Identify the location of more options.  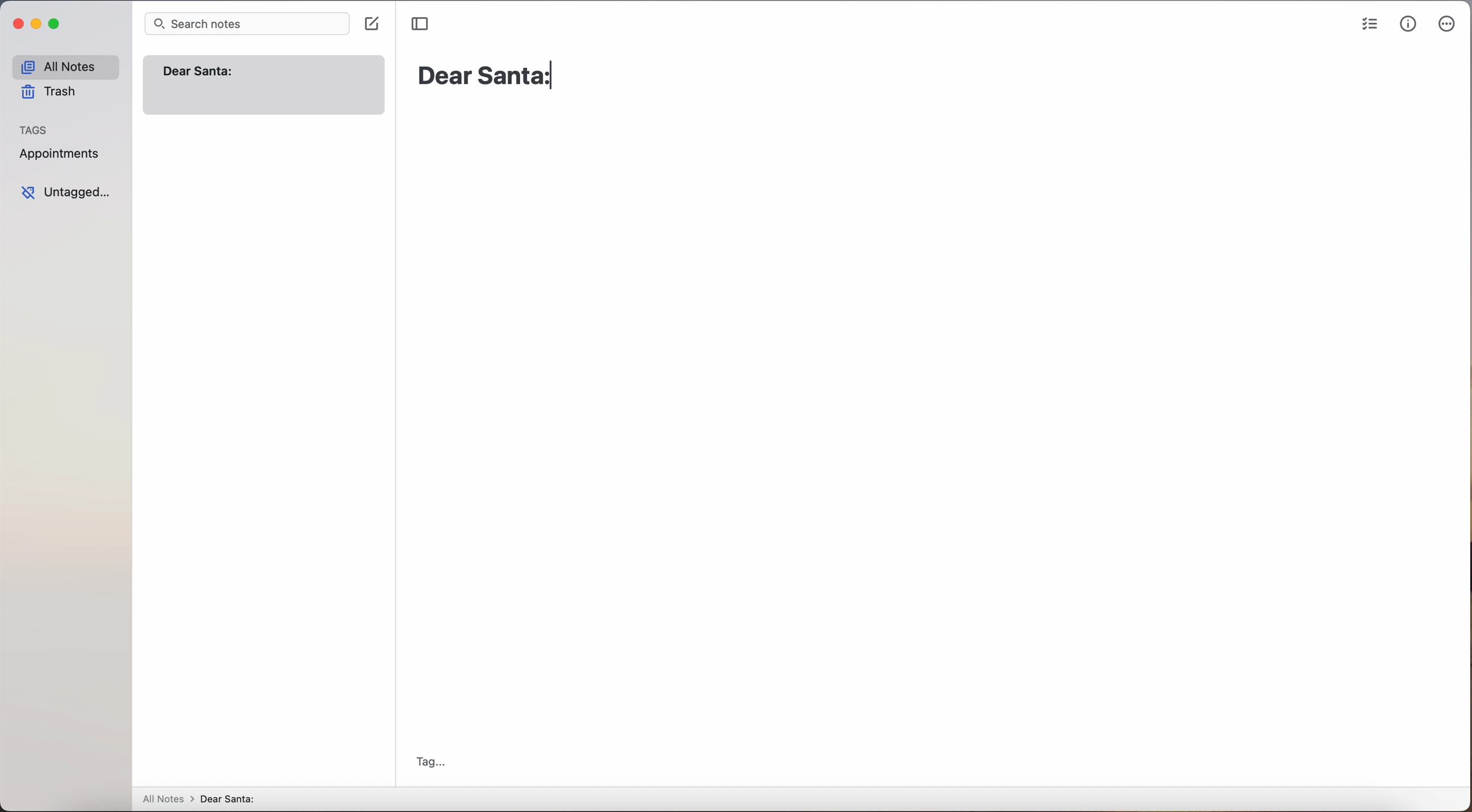
(1449, 23).